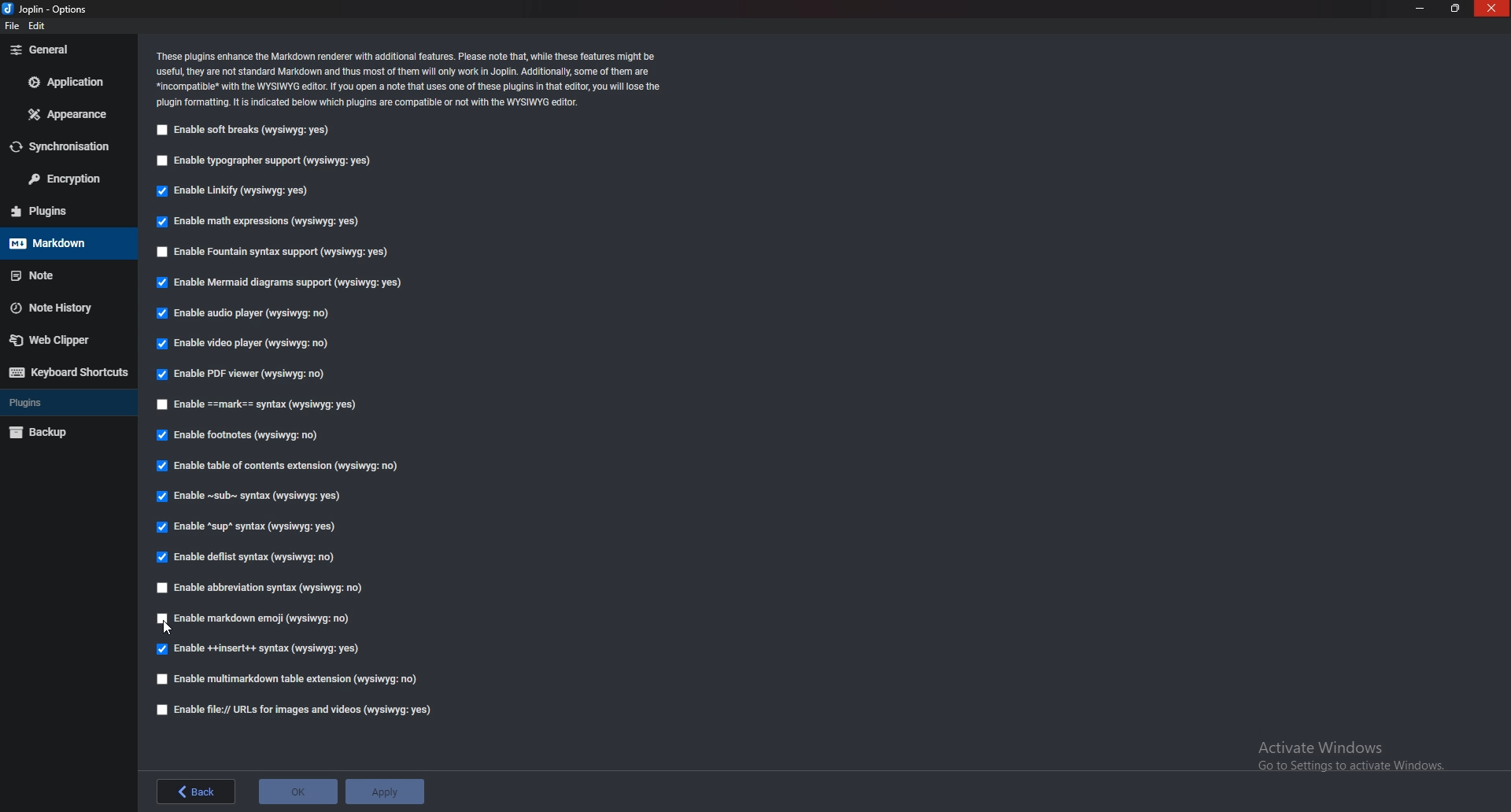 The height and width of the screenshot is (812, 1511). Describe the element at coordinates (297, 792) in the screenshot. I see `ok` at that location.